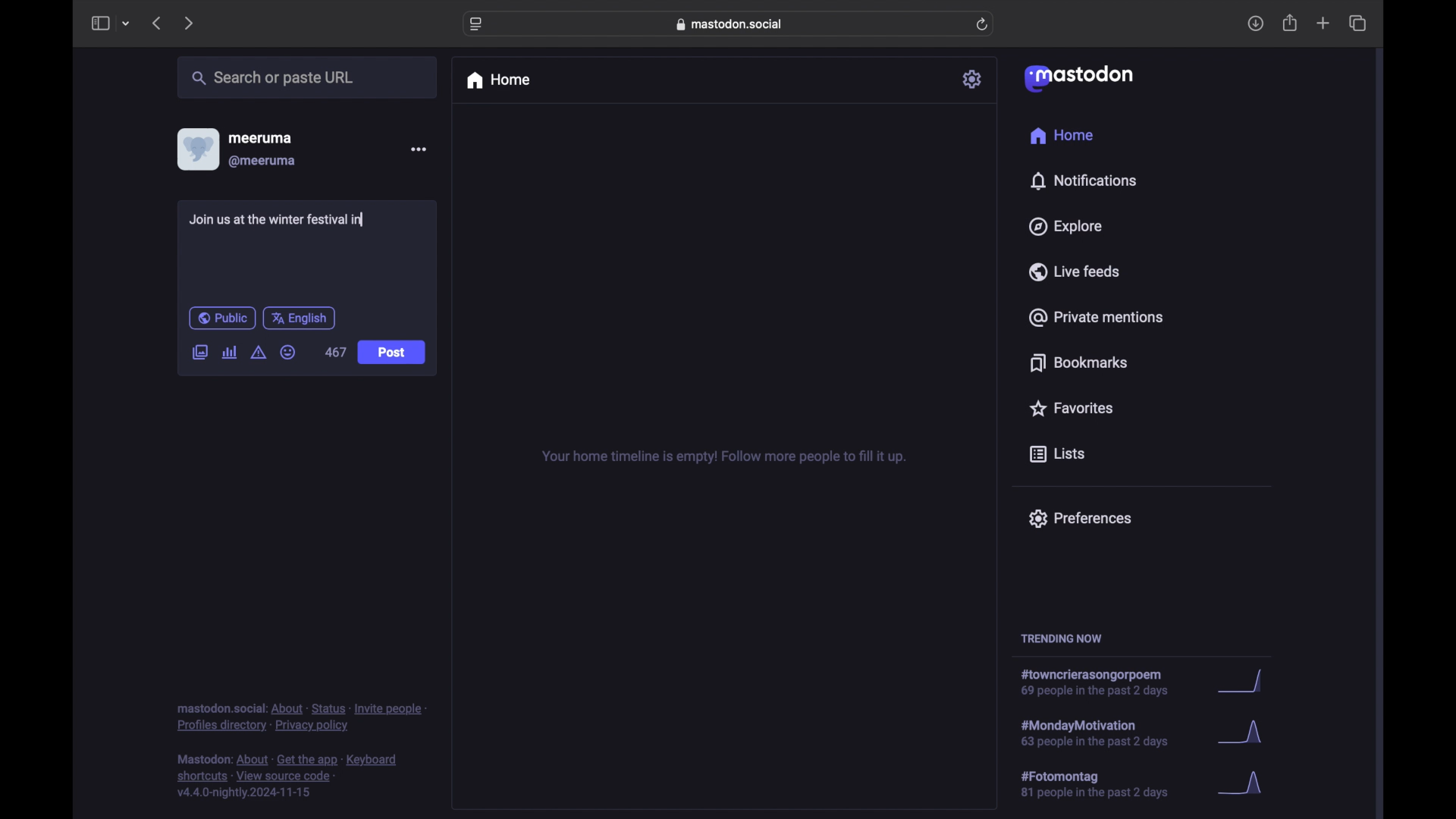 The height and width of the screenshot is (819, 1456). I want to click on home, so click(1061, 136).